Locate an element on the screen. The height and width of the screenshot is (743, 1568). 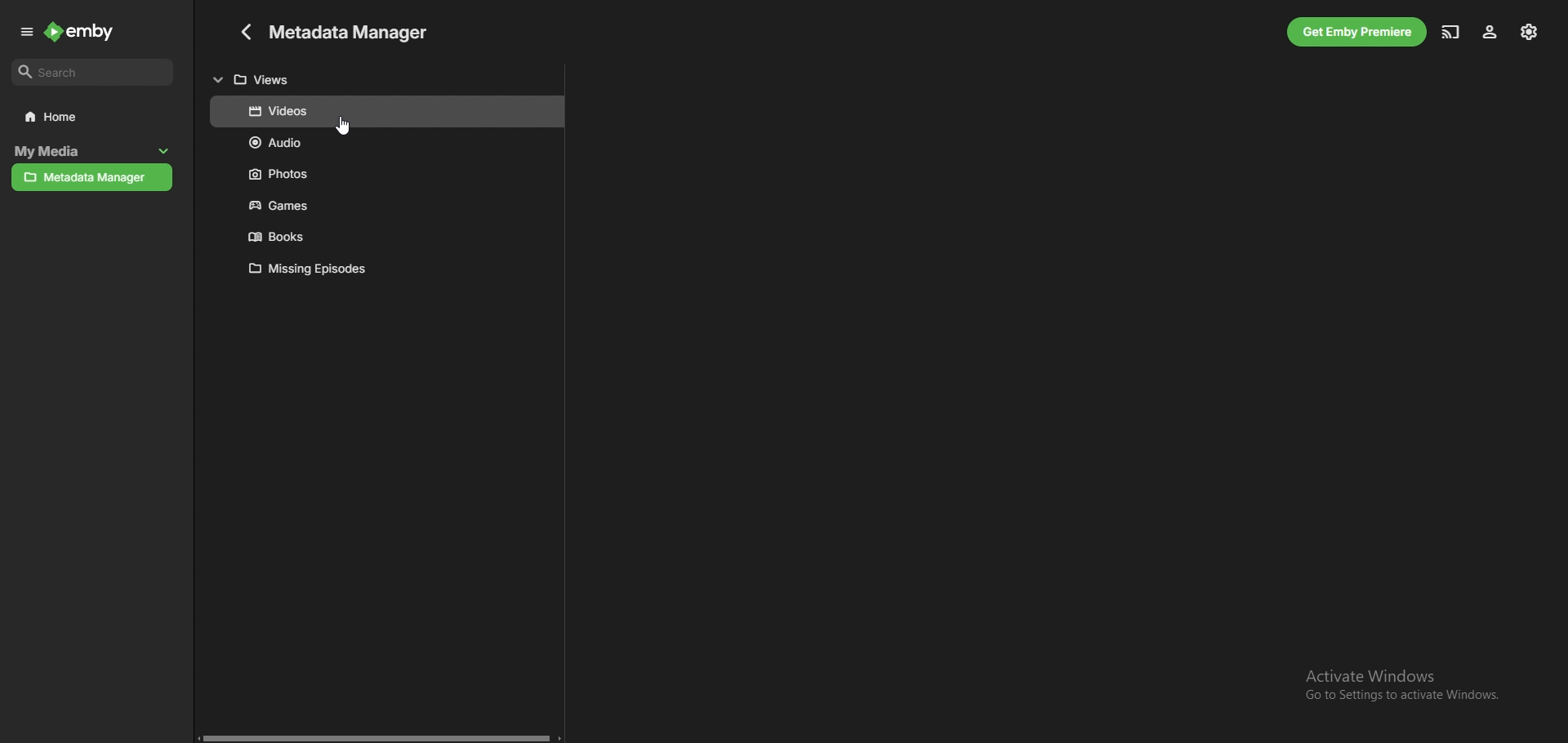
horizontal scroll is located at coordinates (377, 737).